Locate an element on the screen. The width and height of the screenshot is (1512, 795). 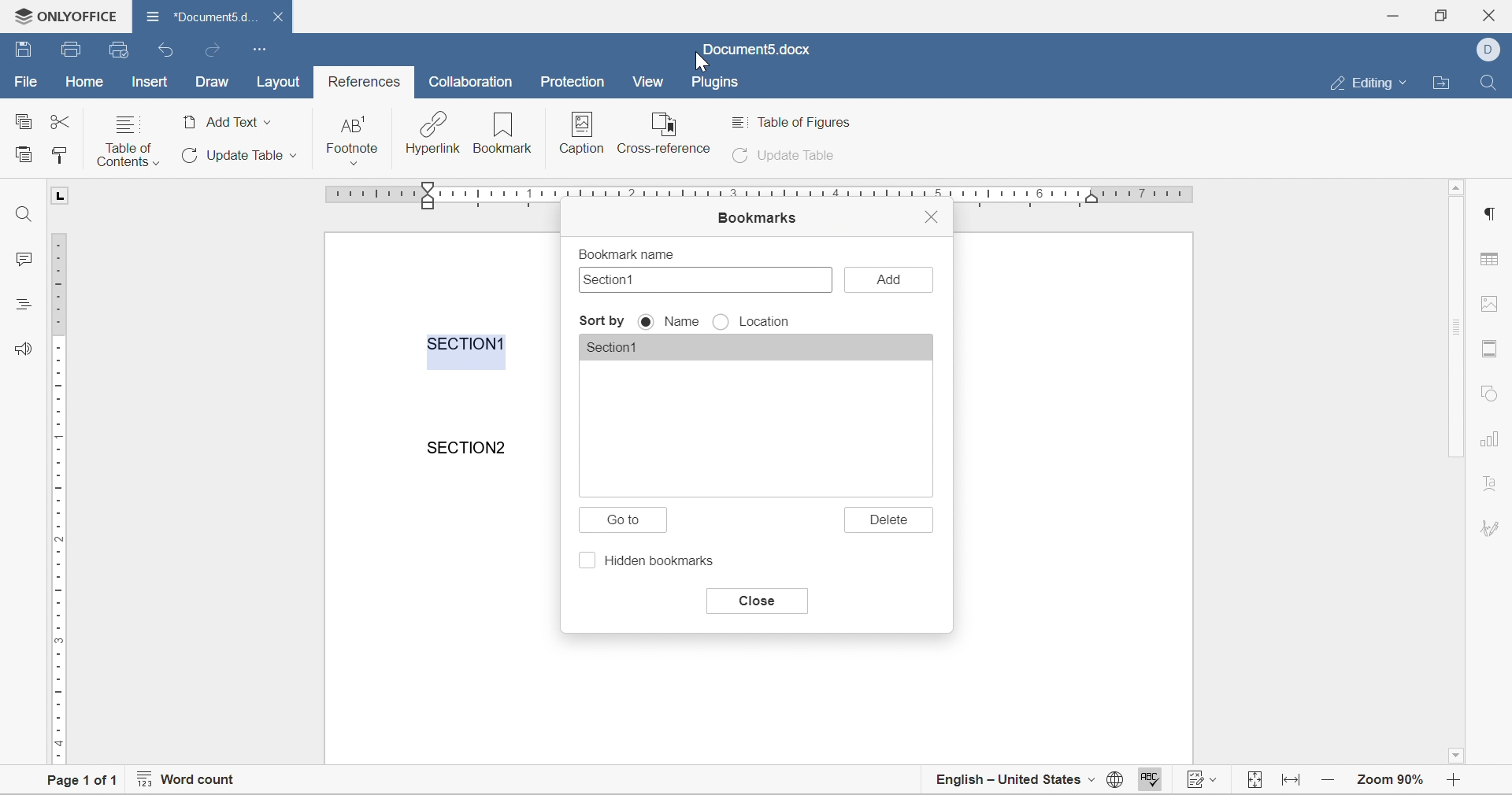
page 1 of 1 is located at coordinates (76, 782).